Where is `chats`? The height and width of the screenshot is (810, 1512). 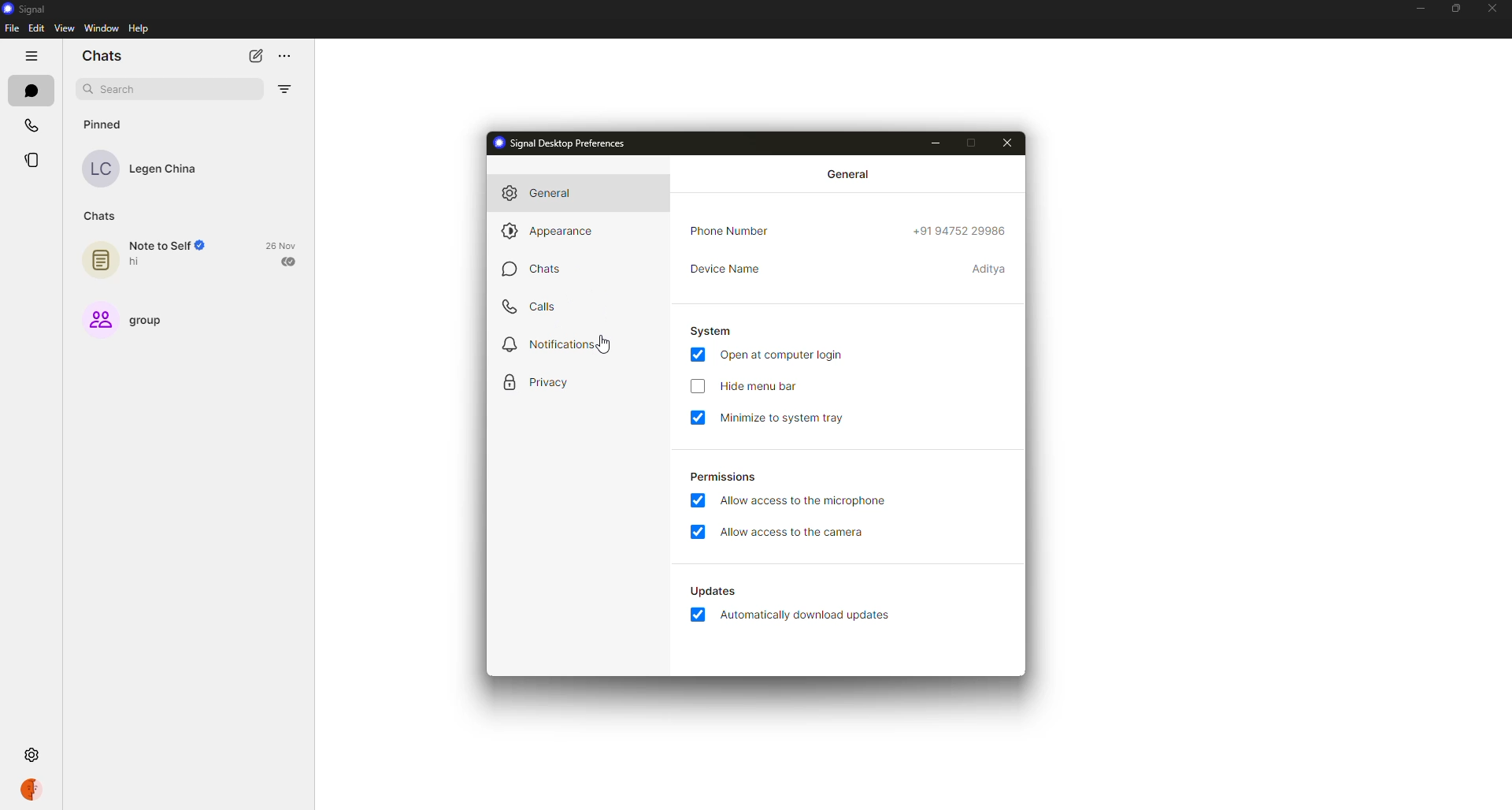
chats is located at coordinates (102, 215).